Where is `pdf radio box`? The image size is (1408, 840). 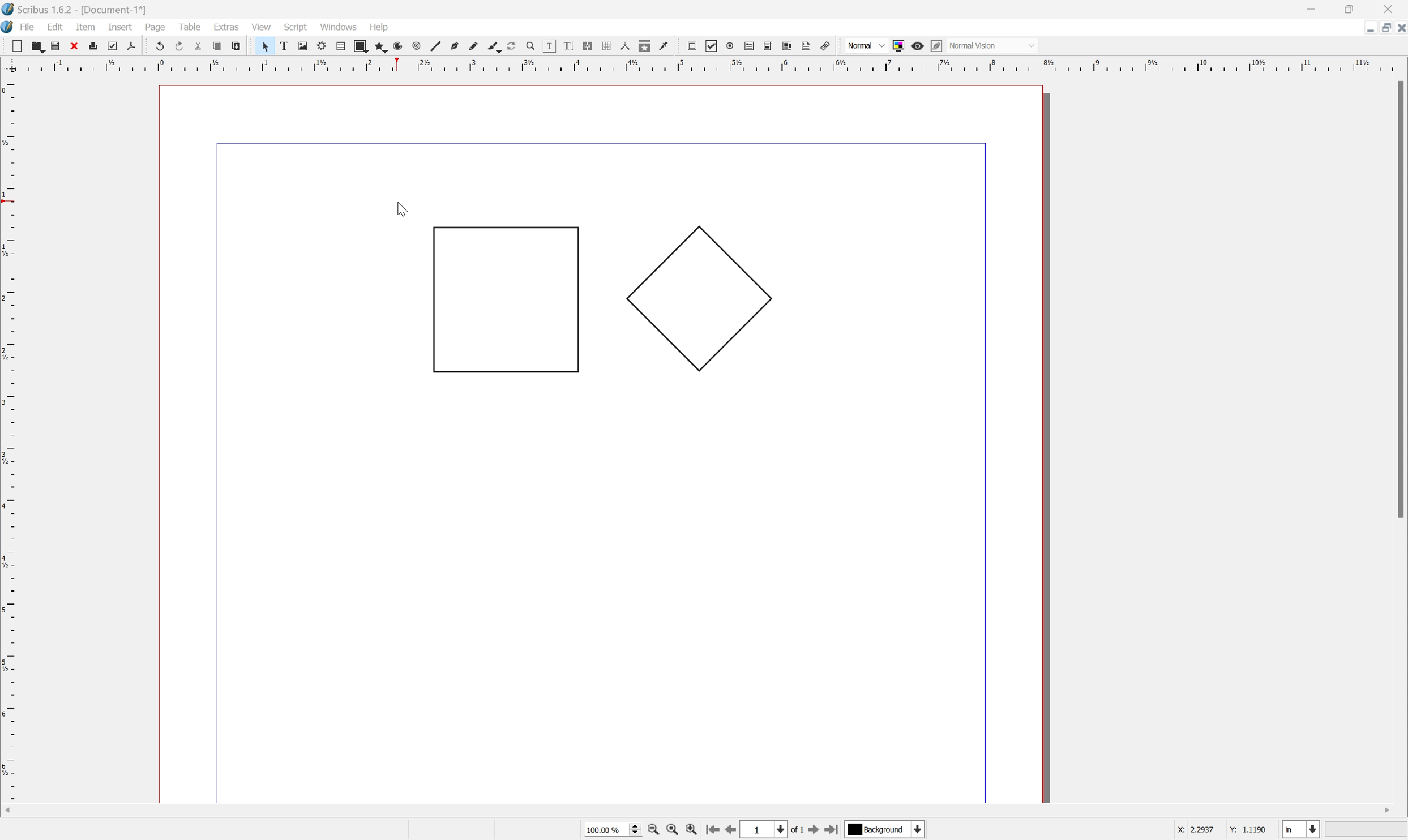
pdf radio box is located at coordinates (728, 45).